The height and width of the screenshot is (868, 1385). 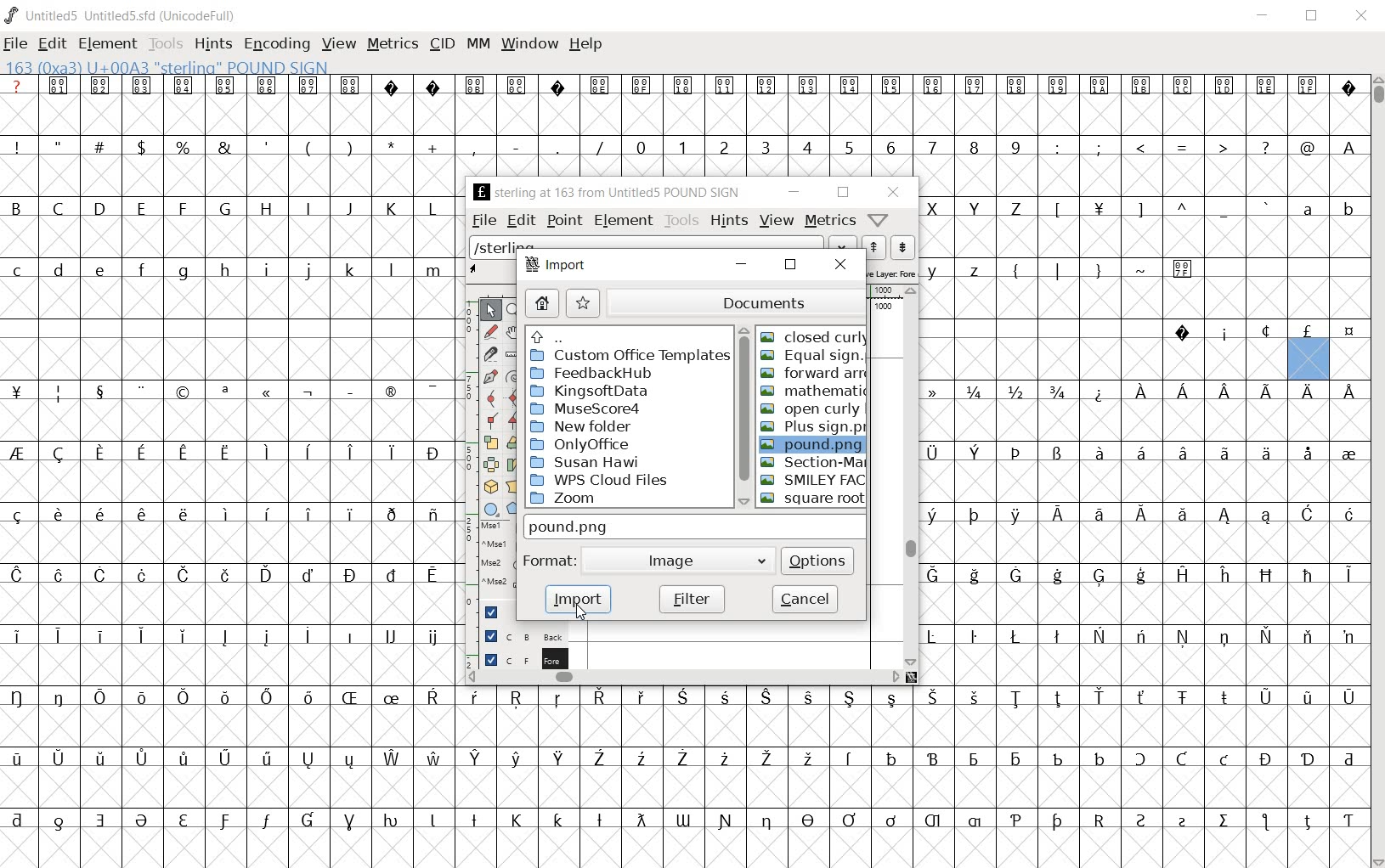 I want to click on Symbol, so click(x=892, y=758).